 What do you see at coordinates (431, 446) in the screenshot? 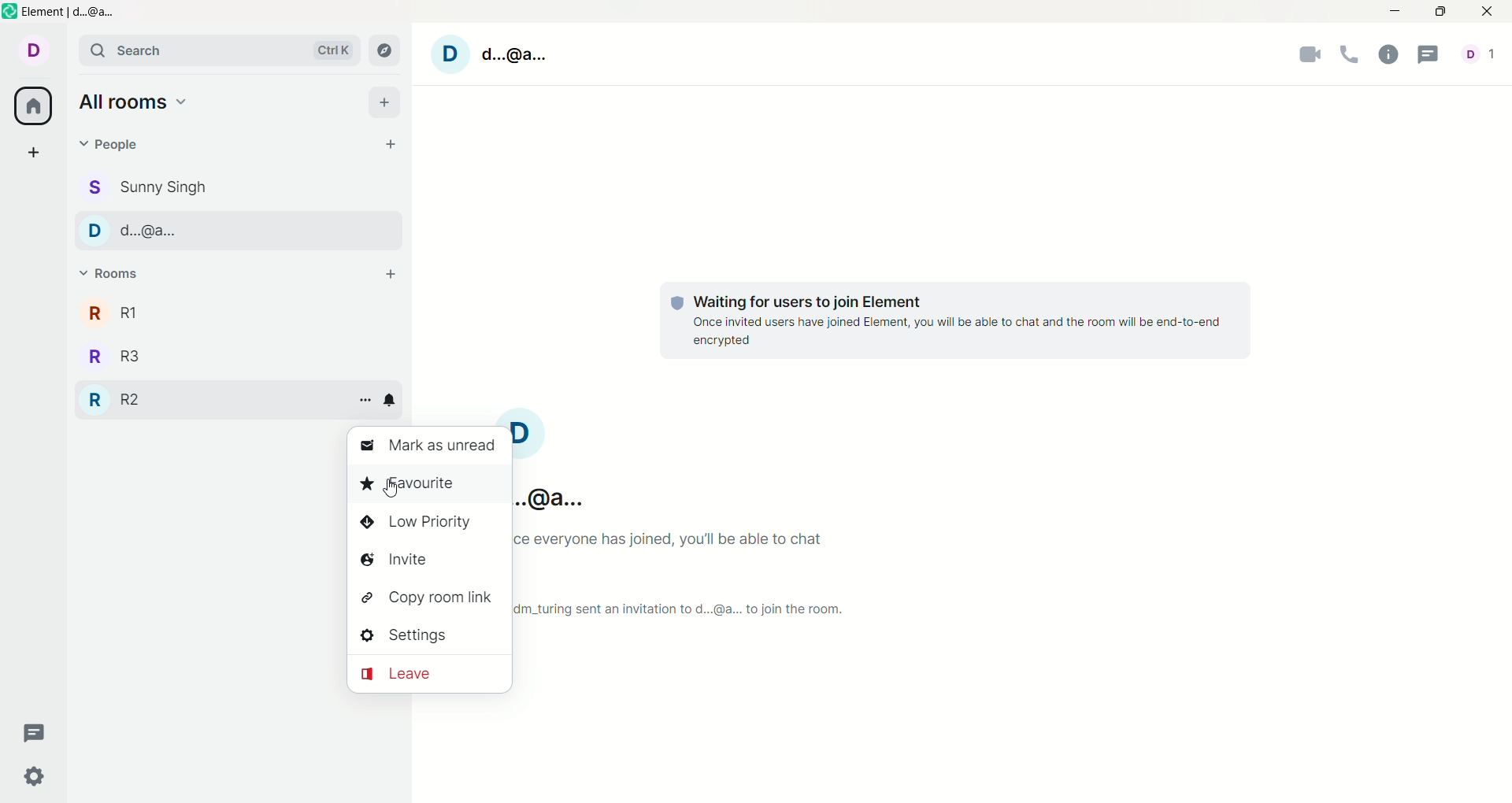
I see `mark as unread` at bounding box center [431, 446].